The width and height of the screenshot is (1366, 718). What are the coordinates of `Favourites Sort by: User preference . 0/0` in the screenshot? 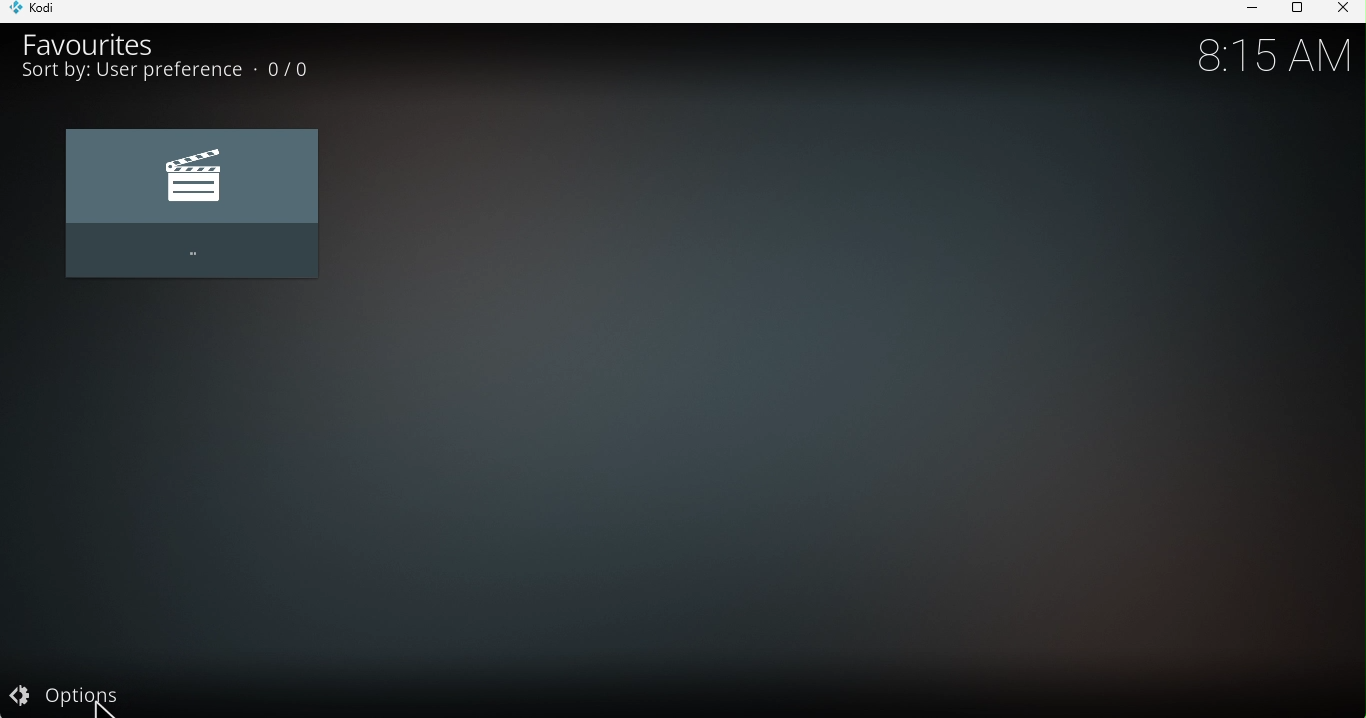 It's located at (181, 55).